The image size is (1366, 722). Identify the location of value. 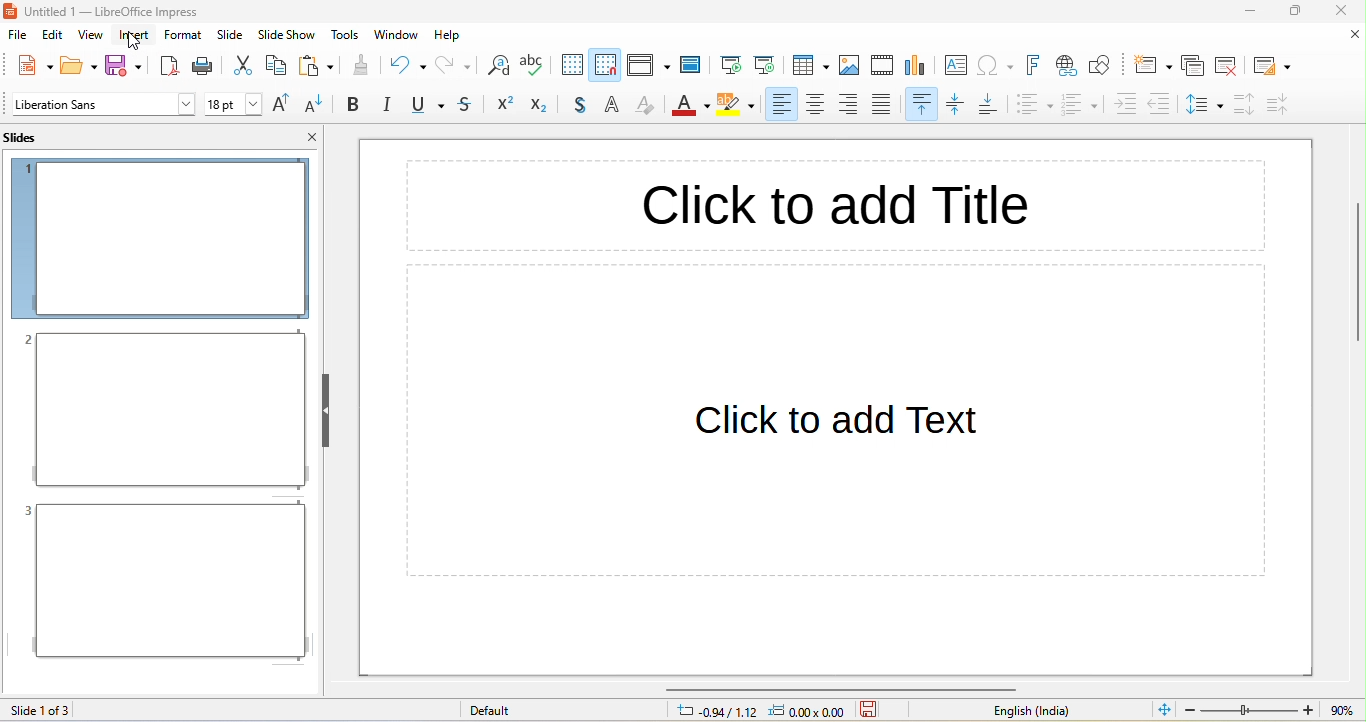
(1340, 710).